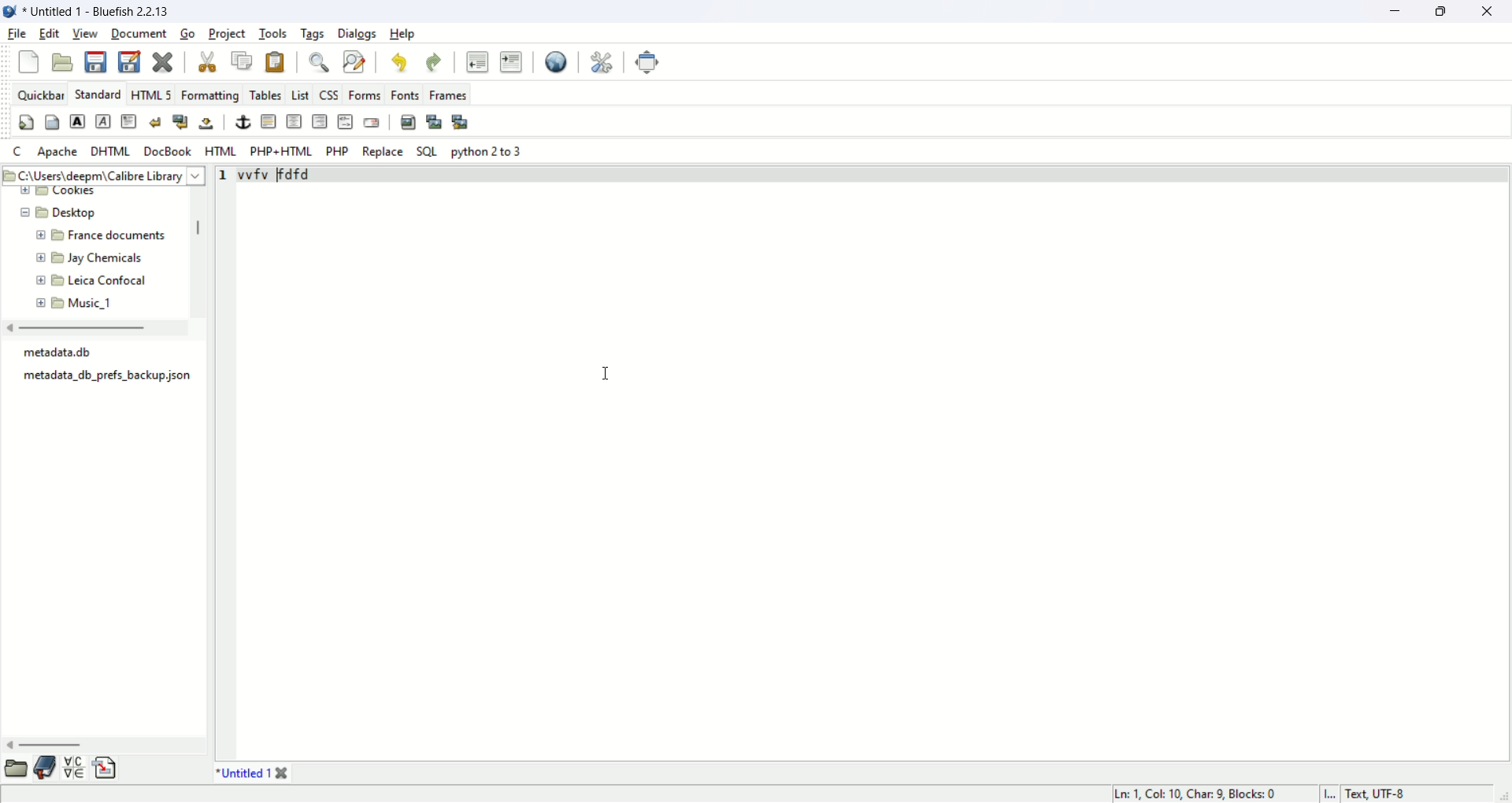 The width and height of the screenshot is (1512, 803). I want to click on css, so click(330, 97).